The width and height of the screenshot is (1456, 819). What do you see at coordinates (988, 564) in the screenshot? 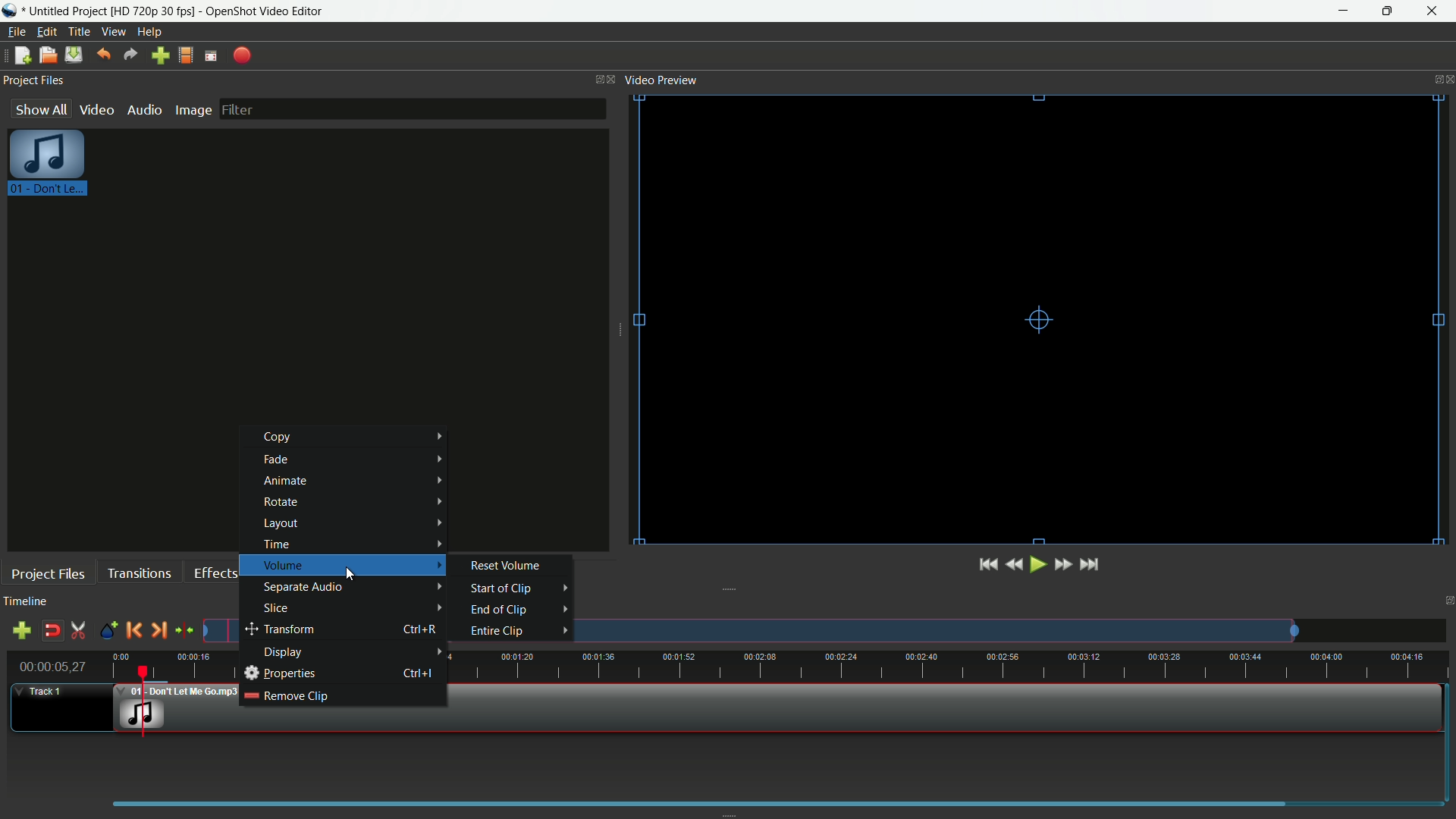
I see `jump to start` at bounding box center [988, 564].